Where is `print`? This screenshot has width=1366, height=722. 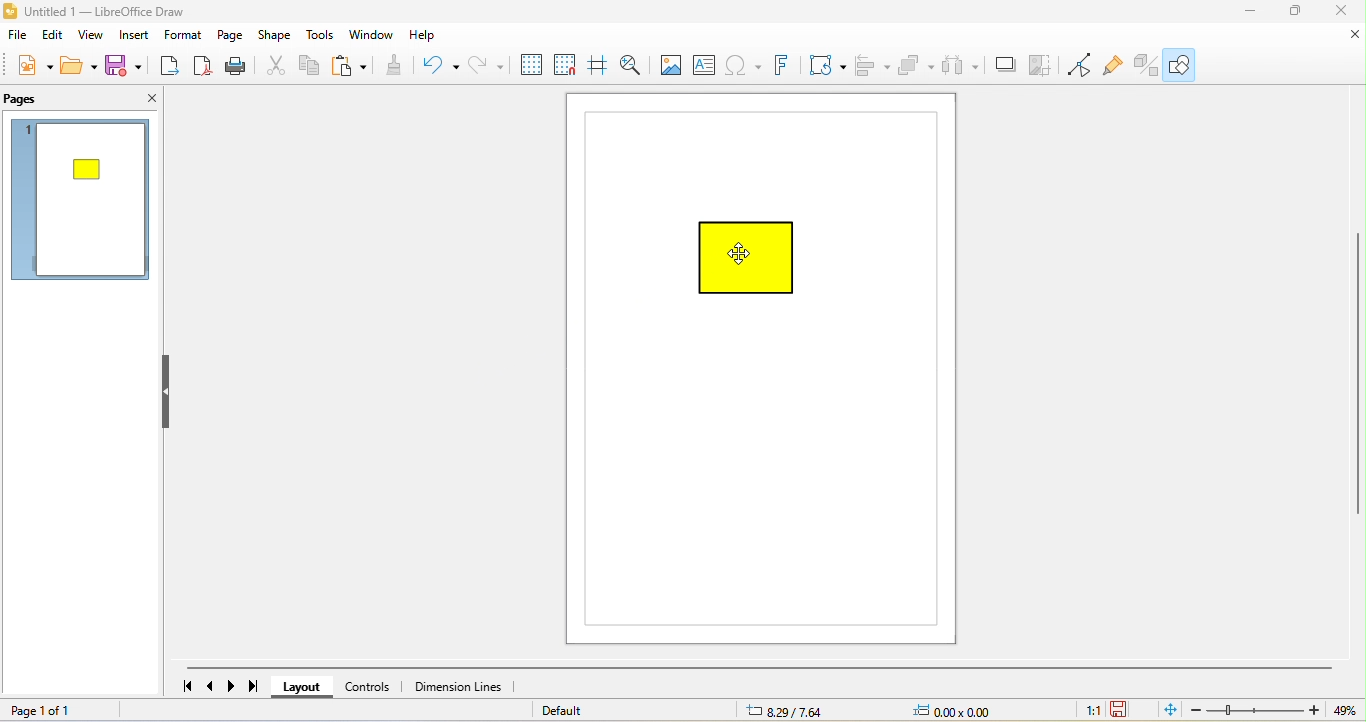
print is located at coordinates (236, 67).